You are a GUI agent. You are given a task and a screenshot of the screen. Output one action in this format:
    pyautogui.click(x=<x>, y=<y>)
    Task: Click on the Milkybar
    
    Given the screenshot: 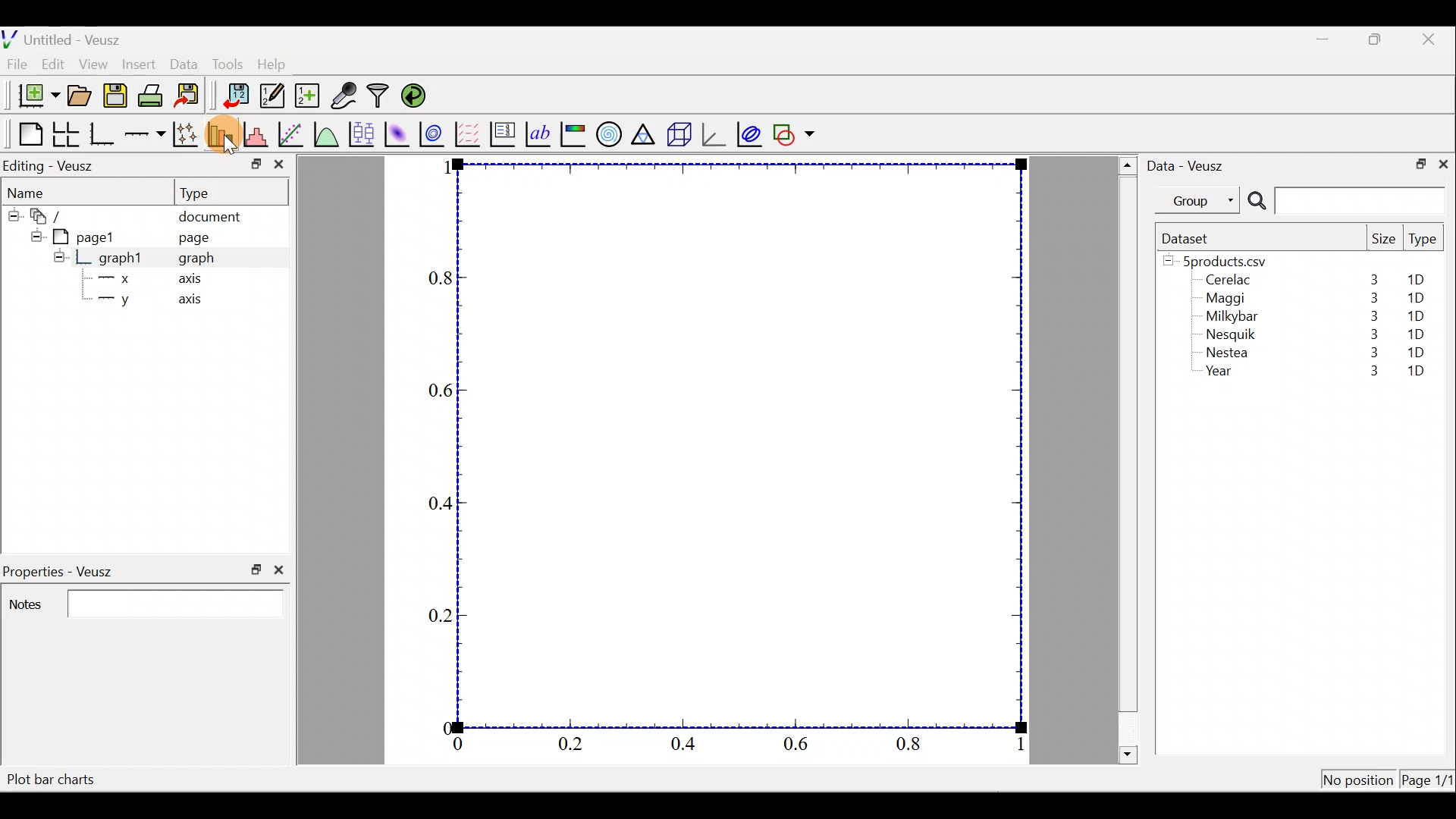 What is the action you would take?
    pyautogui.click(x=1228, y=318)
    